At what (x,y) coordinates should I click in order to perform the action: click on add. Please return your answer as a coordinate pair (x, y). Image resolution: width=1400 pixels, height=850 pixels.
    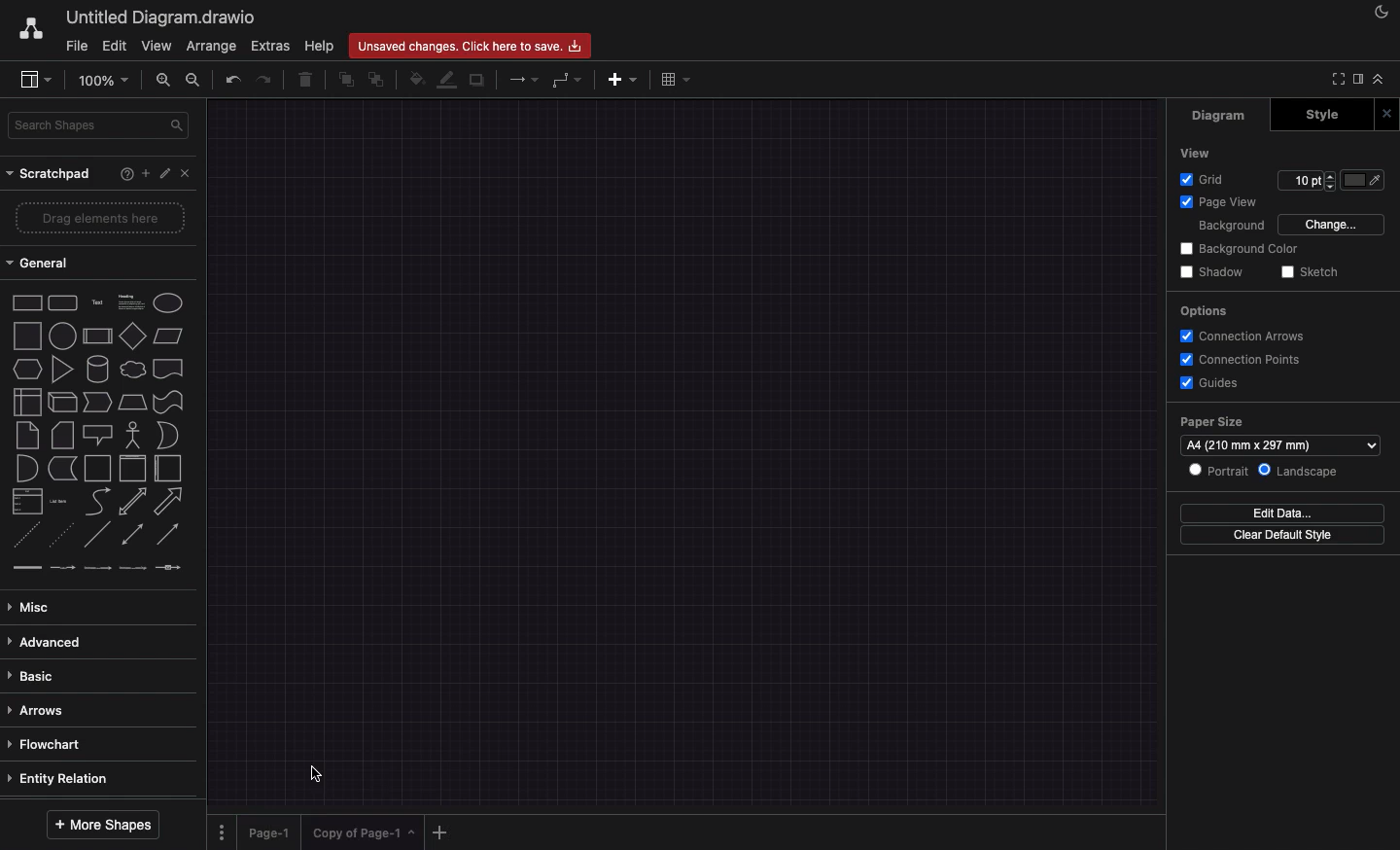
    Looking at the image, I should click on (622, 81).